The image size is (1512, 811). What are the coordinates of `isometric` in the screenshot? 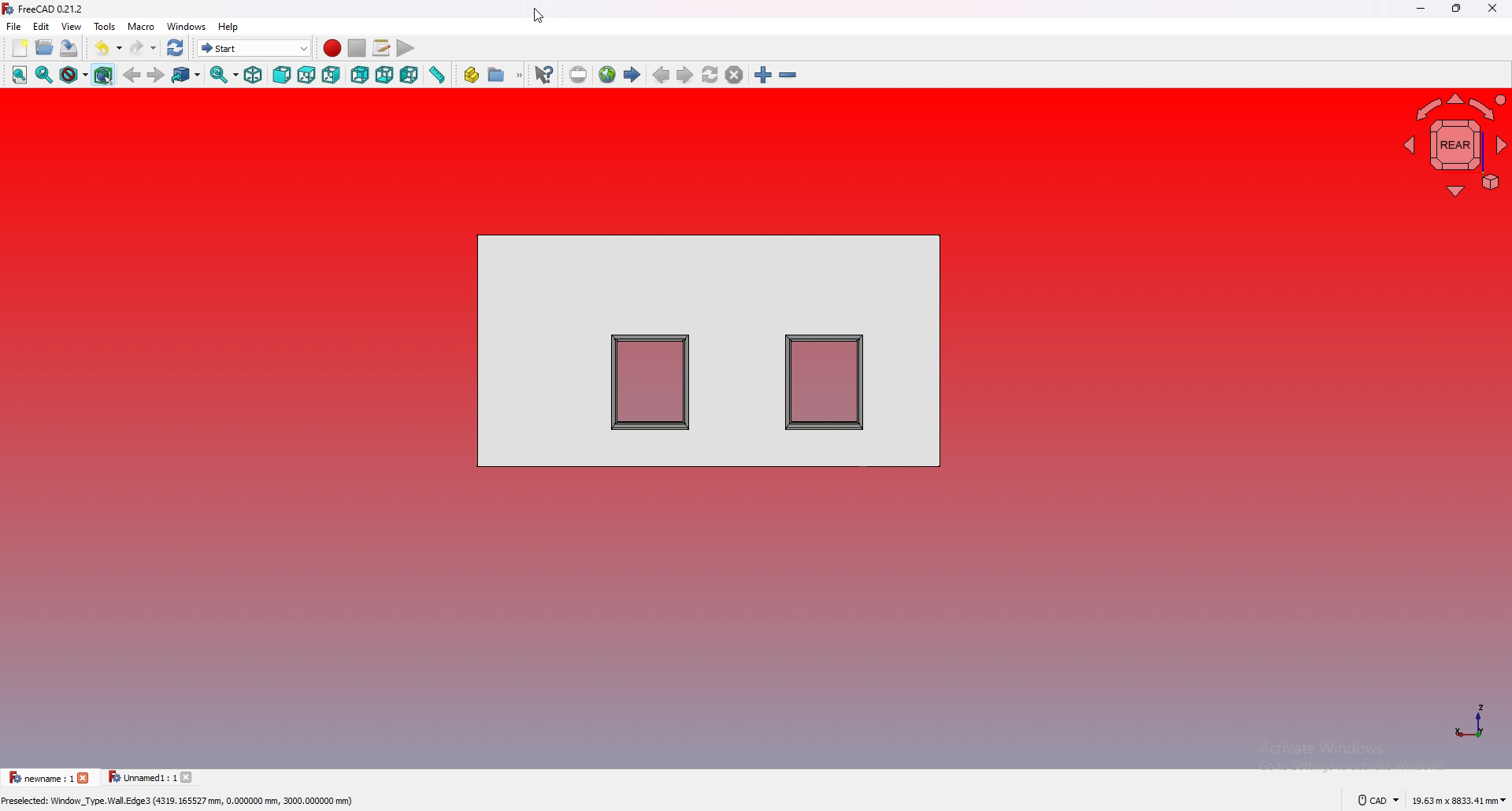 It's located at (253, 75).